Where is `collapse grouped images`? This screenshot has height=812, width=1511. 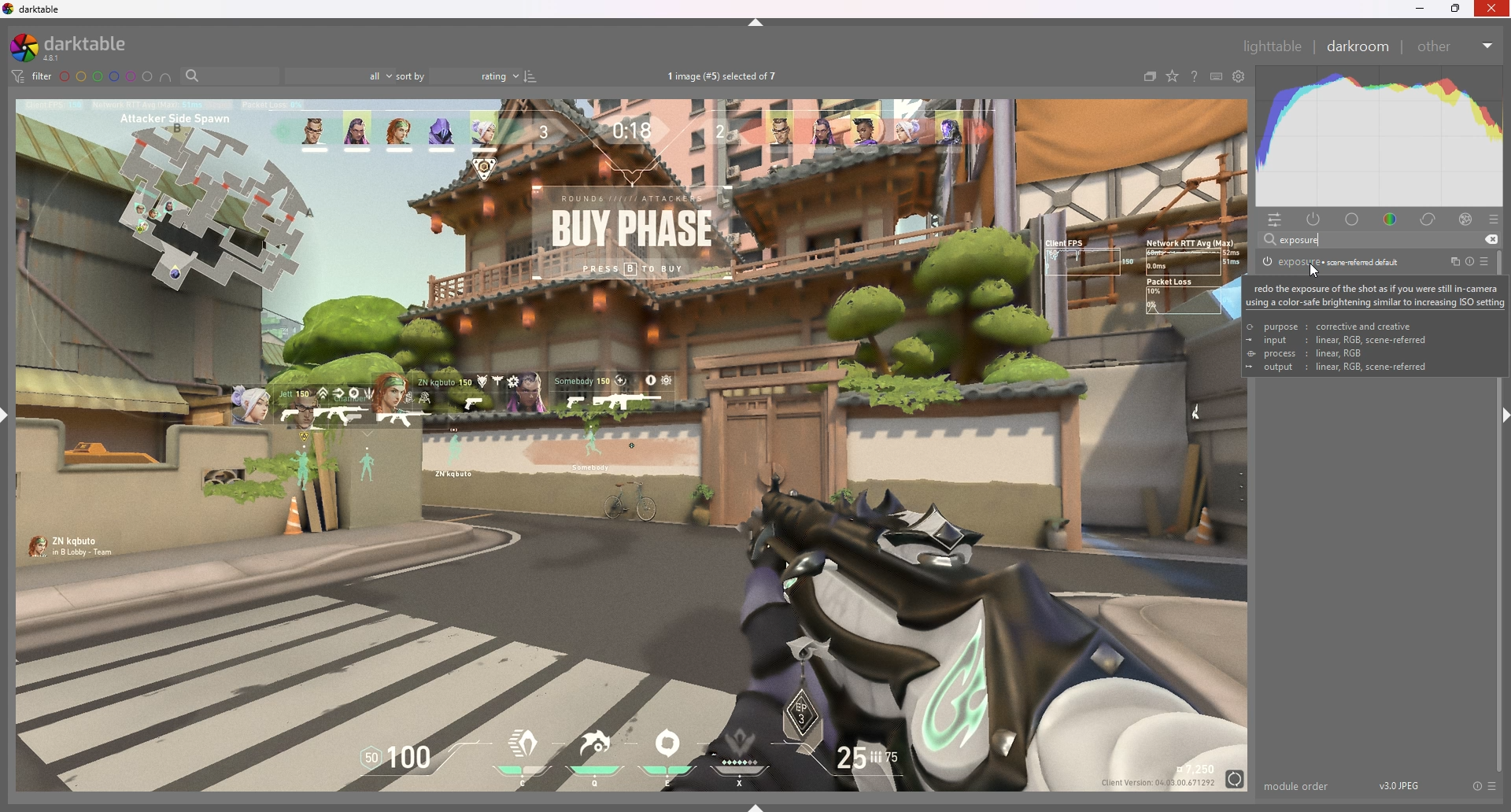 collapse grouped images is located at coordinates (1149, 78).